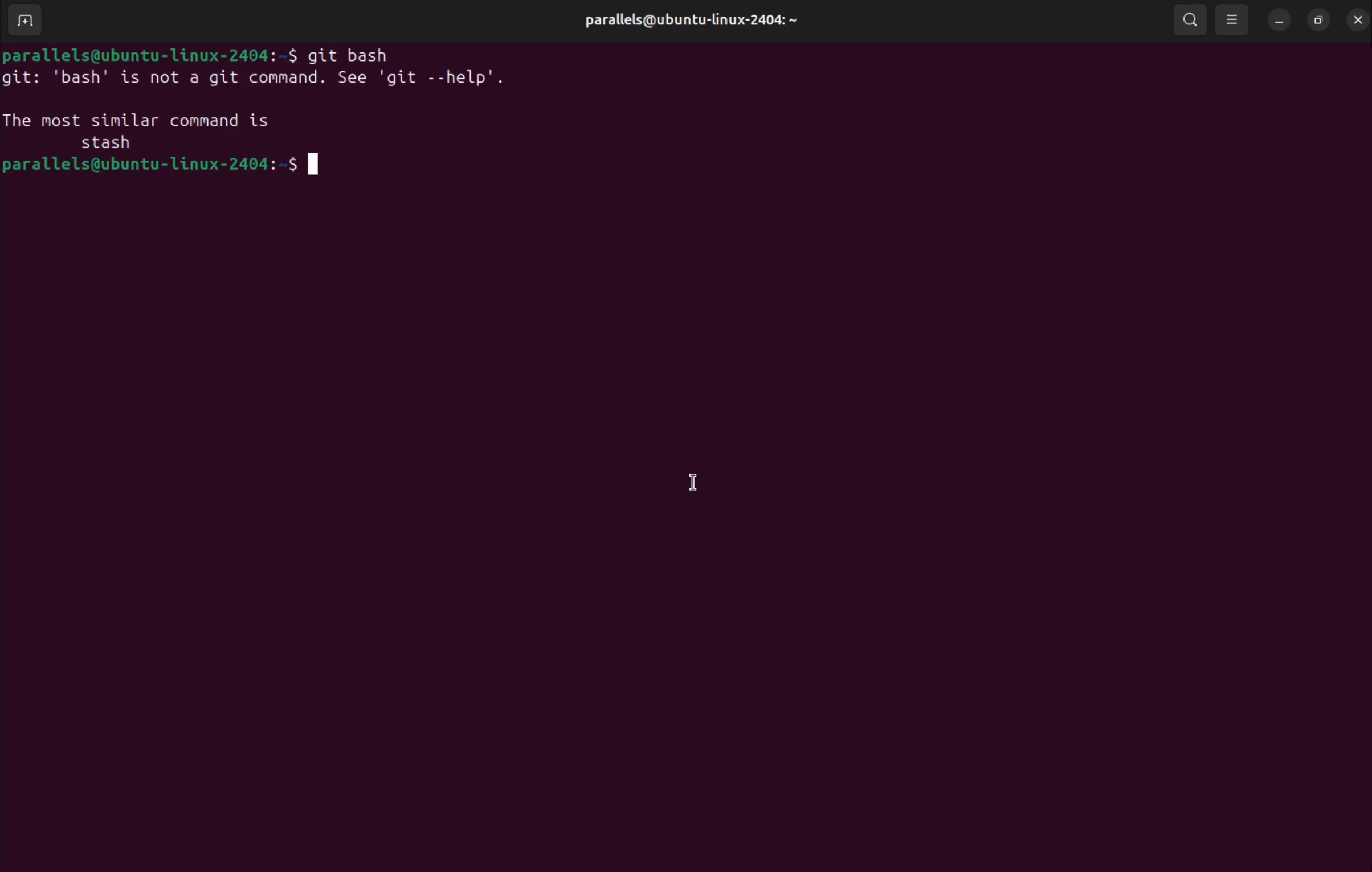  Describe the element at coordinates (689, 22) in the screenshot. I see `parallels` at that location.